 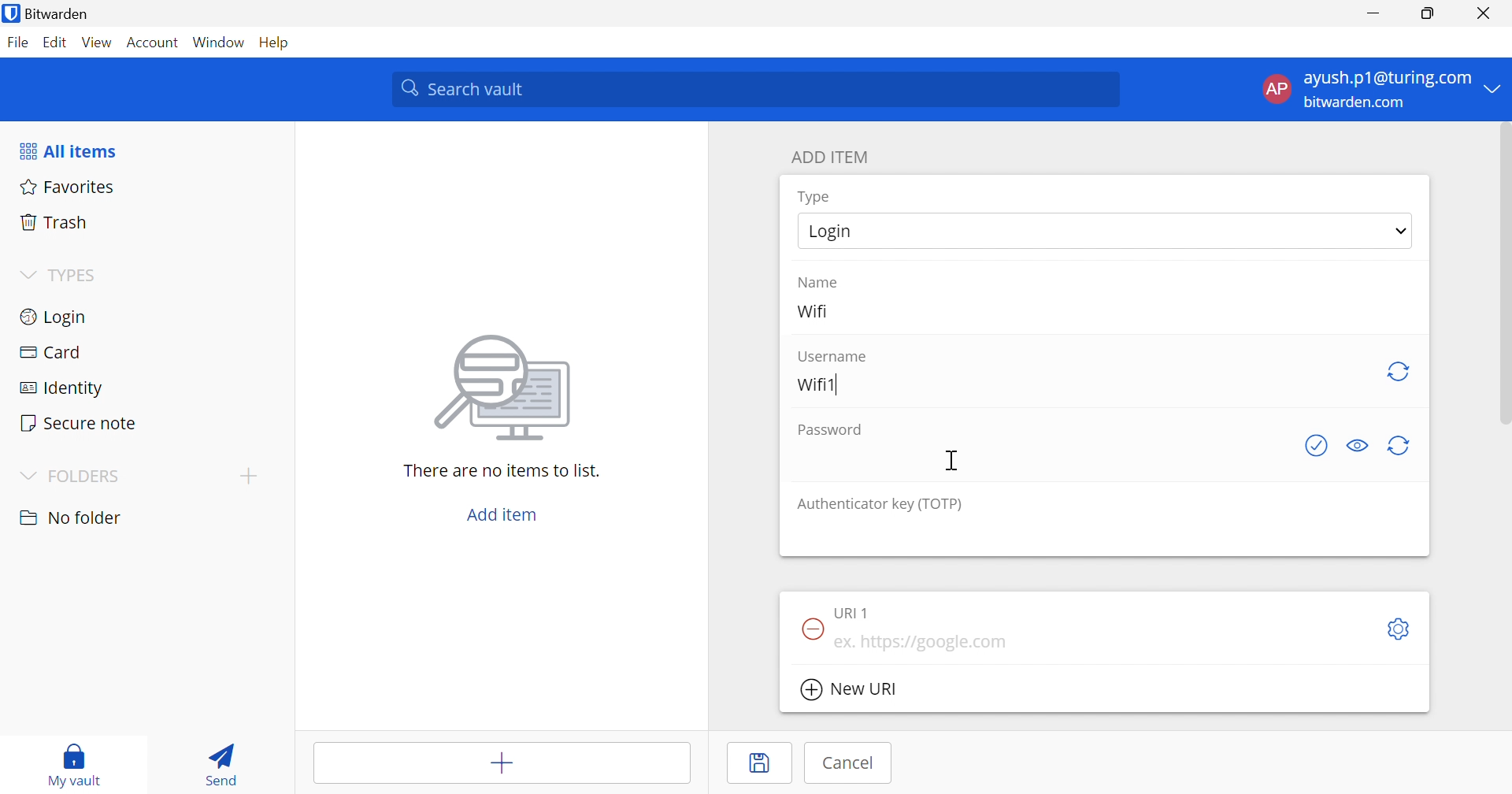 I want to click on Type, so click(x=816, y=198).